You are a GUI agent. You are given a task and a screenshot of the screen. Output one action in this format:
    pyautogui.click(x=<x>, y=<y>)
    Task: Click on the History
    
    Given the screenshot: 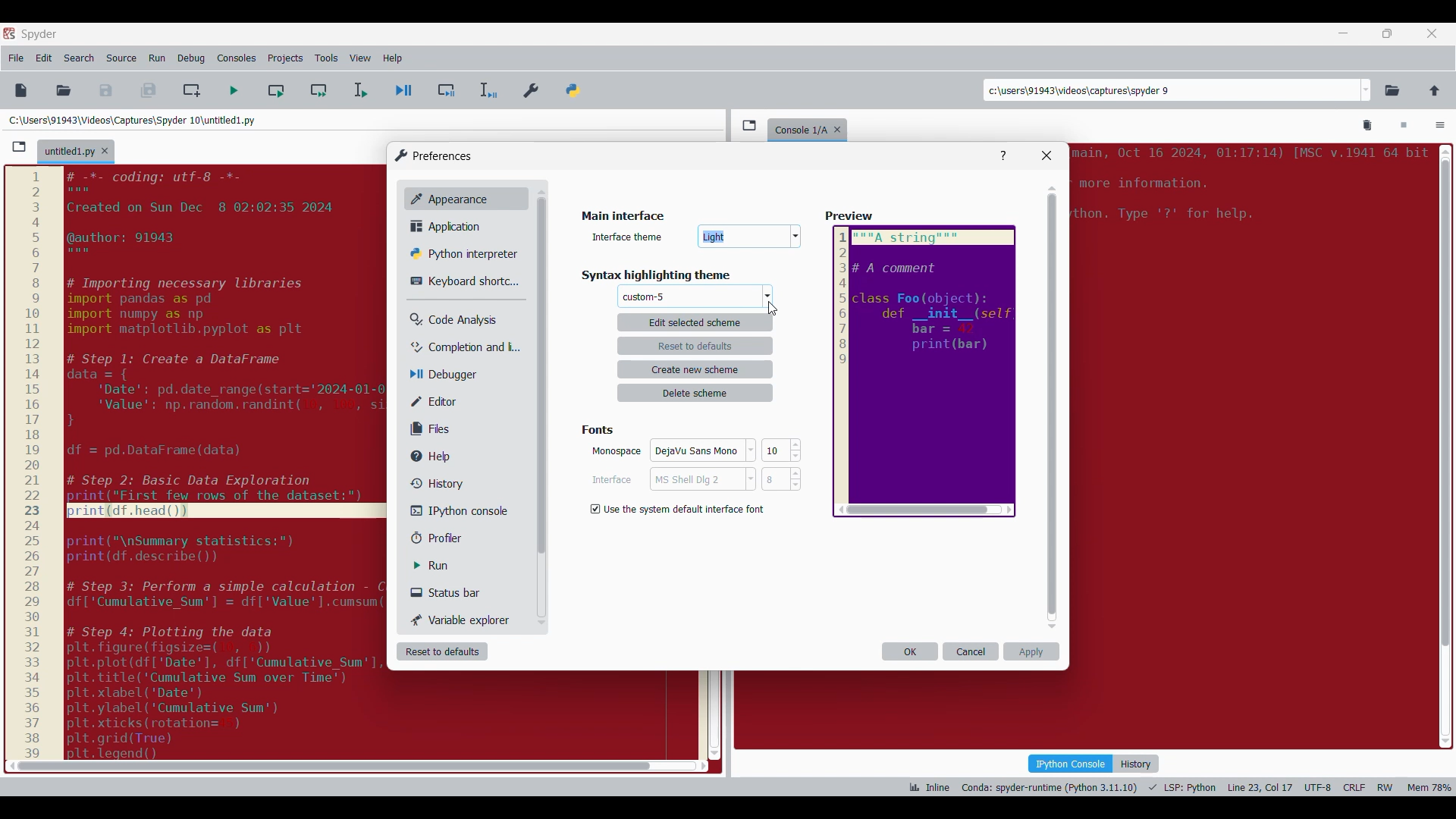 What is the action you would take?
    pyautogui.click(x=1136, y=764)
    